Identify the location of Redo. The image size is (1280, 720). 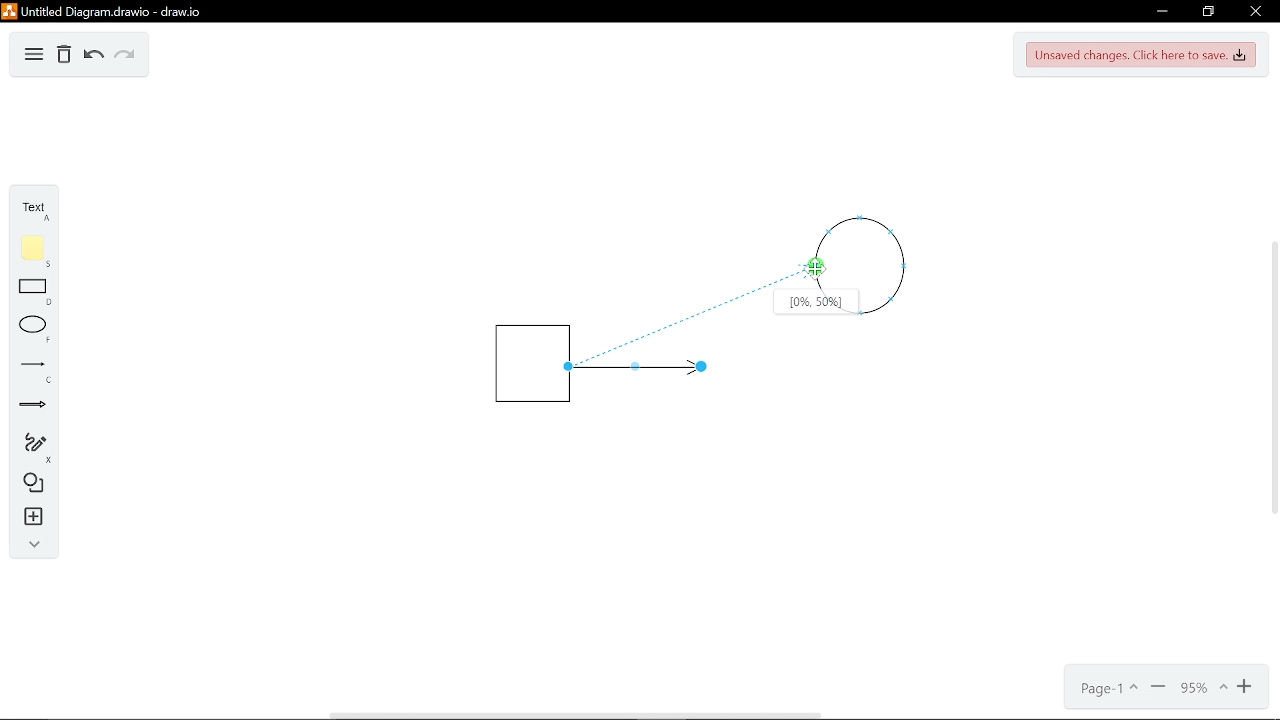
(125, 56).